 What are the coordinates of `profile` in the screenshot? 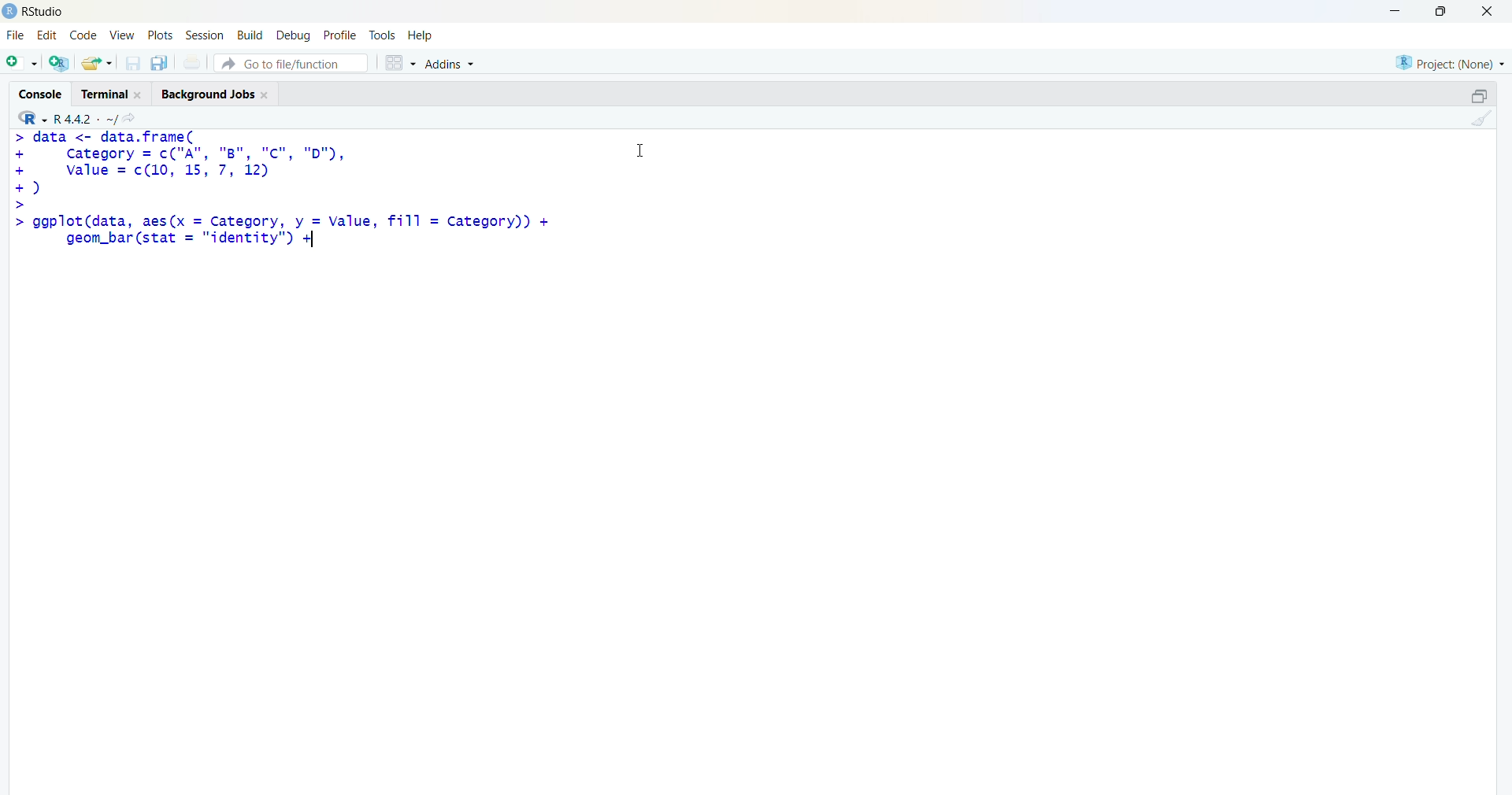 It's located at (339, 36).